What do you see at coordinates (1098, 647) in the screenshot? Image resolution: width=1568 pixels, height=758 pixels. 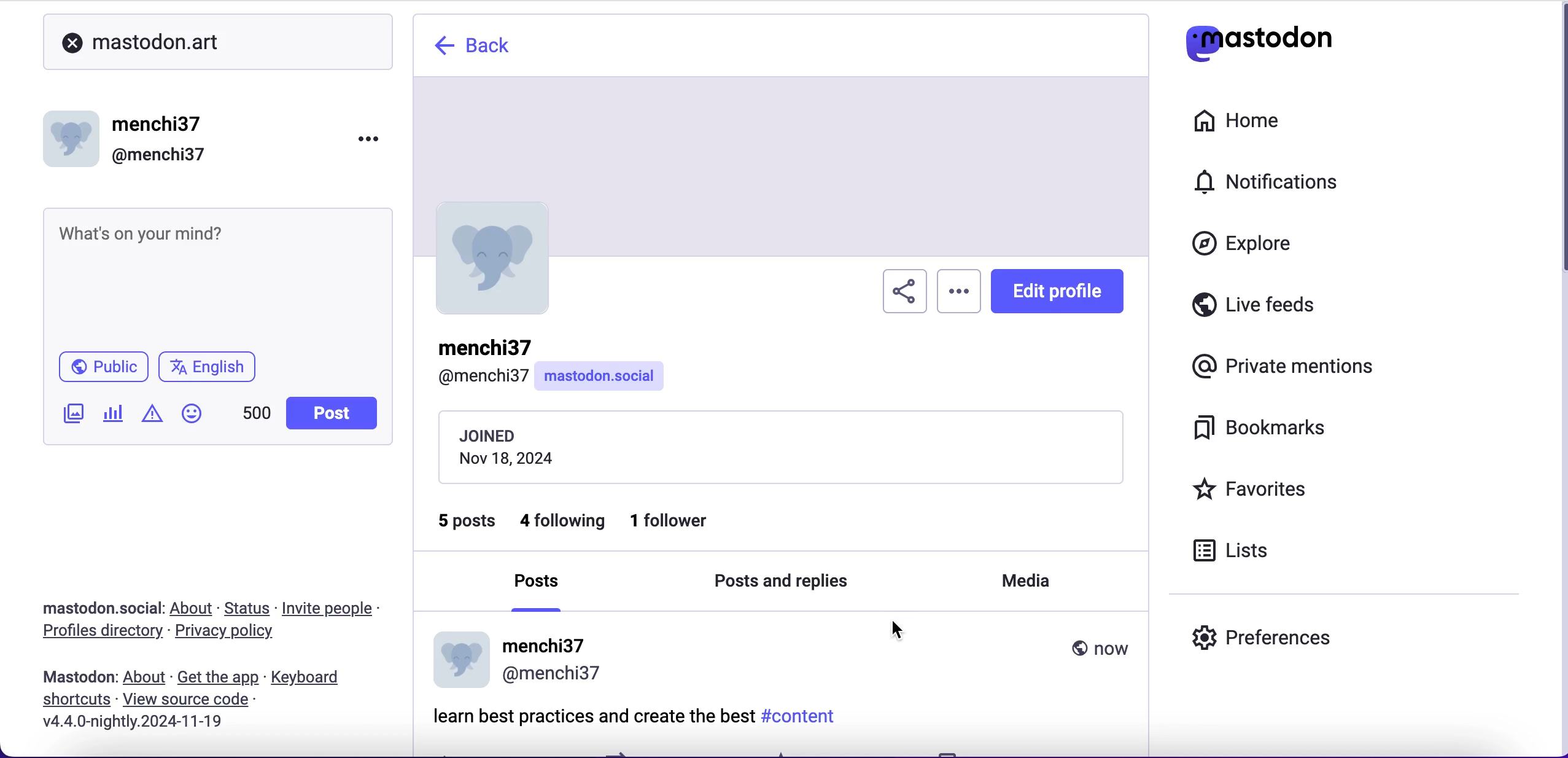 I see `now` at bounding box center [1098, 647].